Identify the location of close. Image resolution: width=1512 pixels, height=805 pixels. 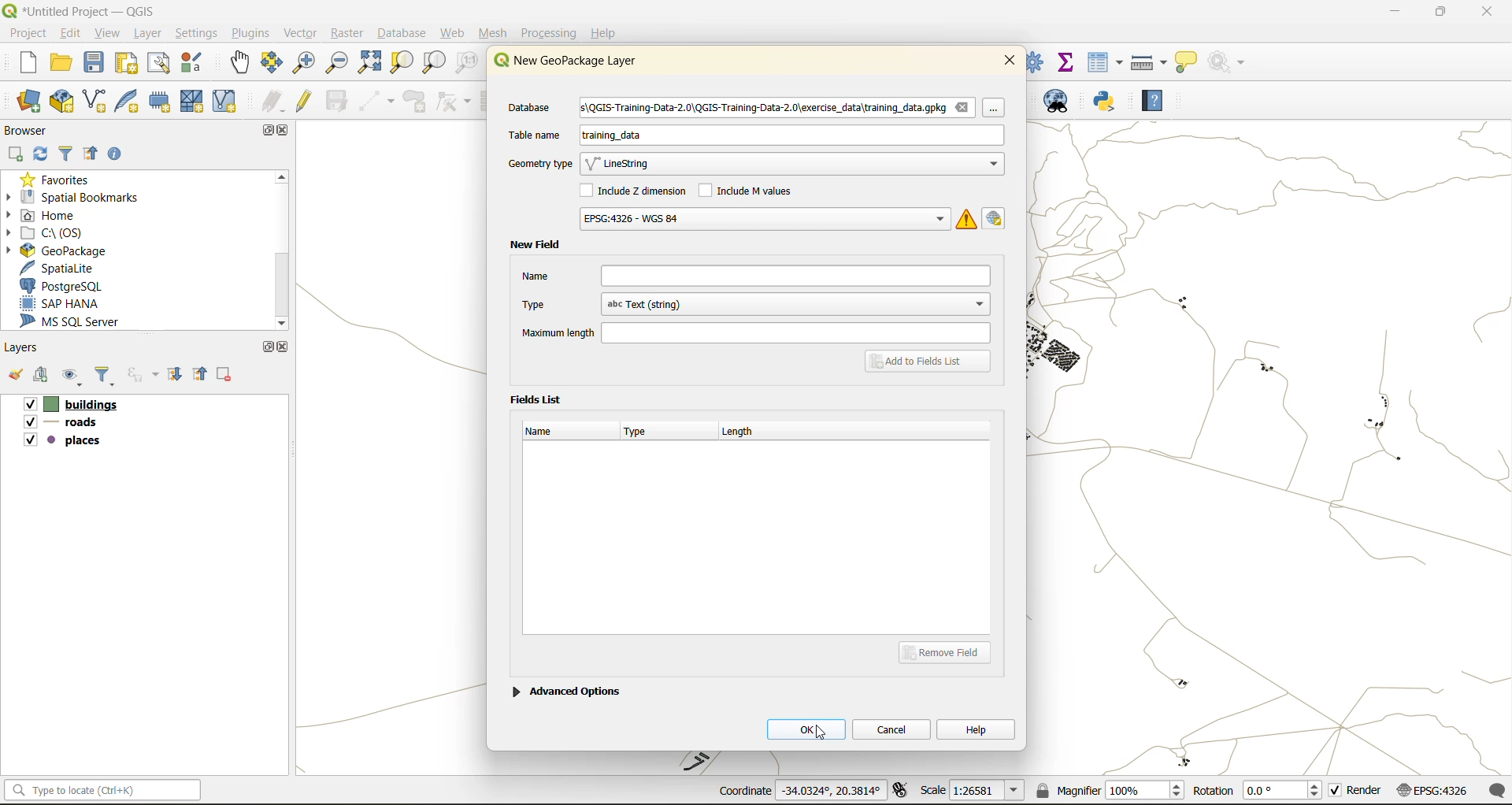
(1010, 59).